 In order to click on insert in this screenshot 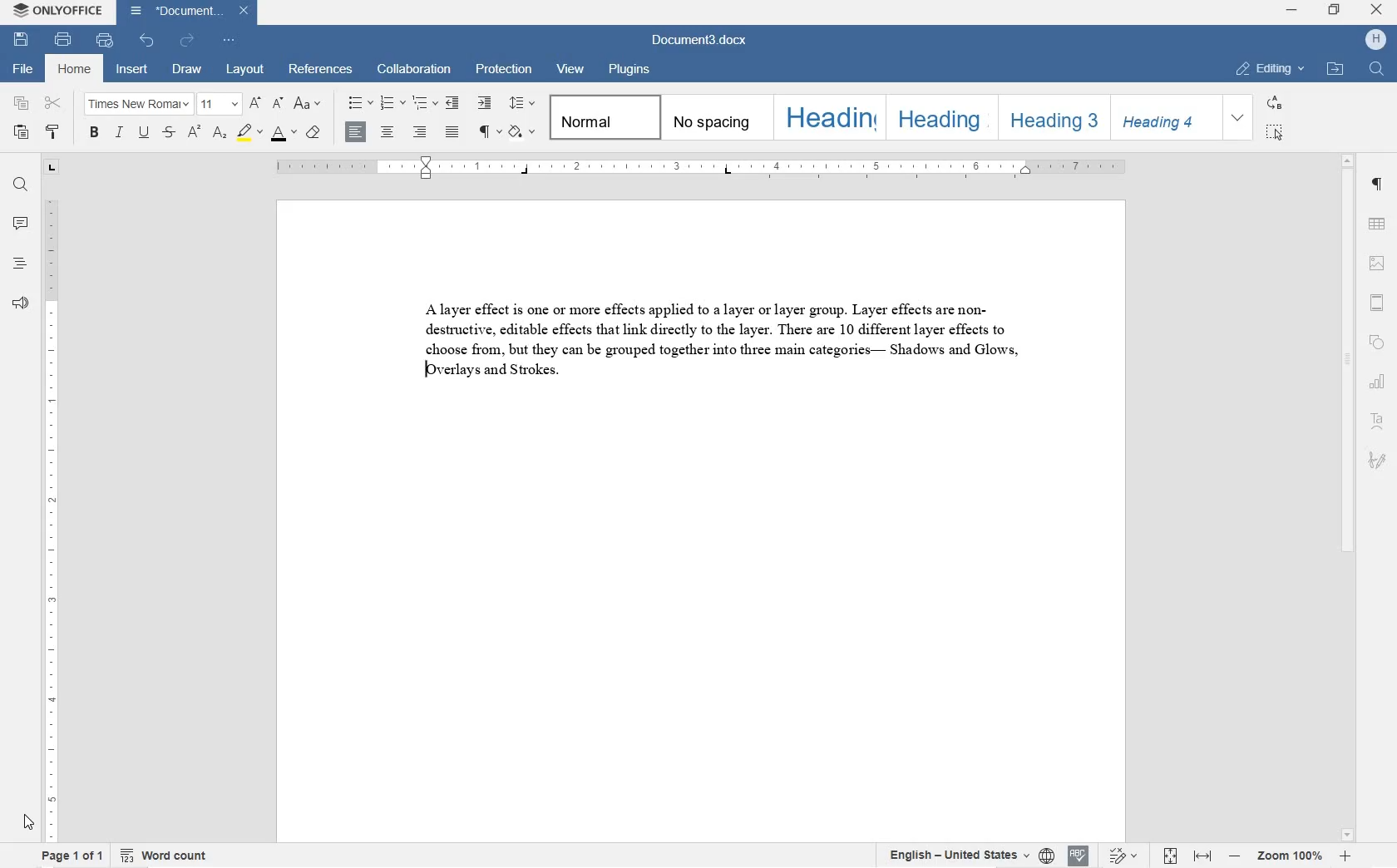, I will do `click(133, 68)`.